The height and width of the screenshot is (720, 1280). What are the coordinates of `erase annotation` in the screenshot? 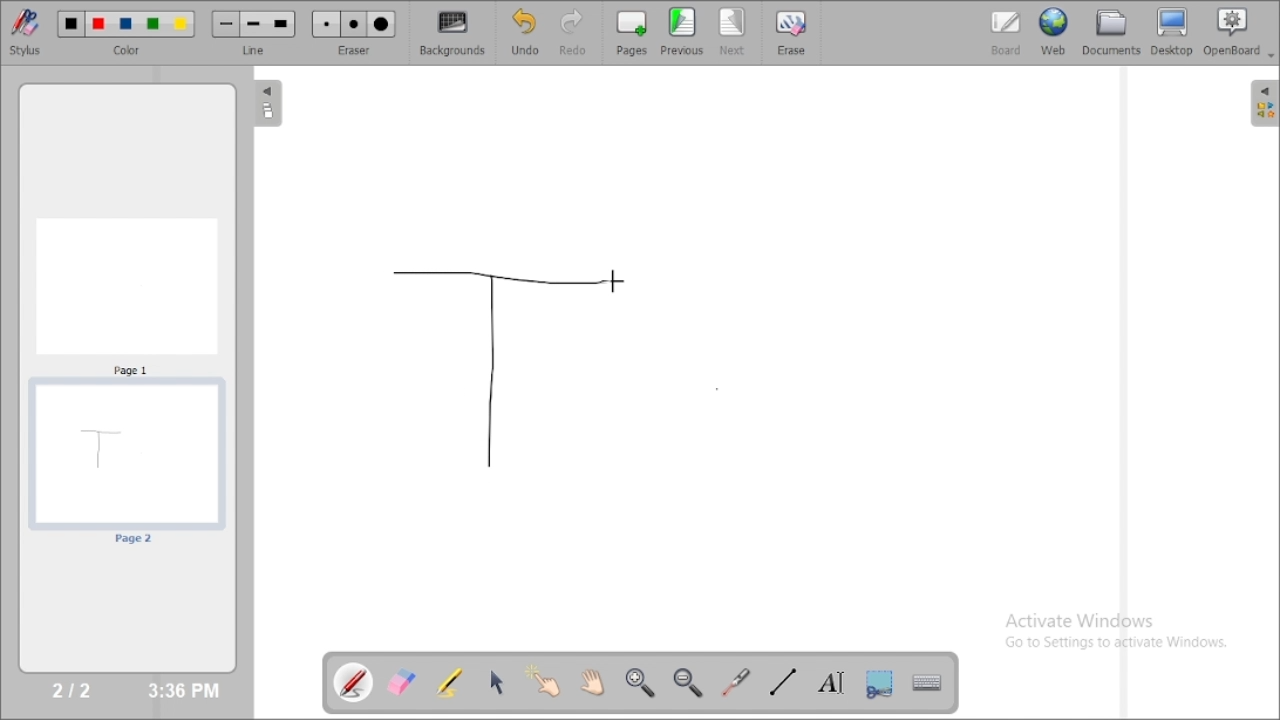 It's located at (403, 682).